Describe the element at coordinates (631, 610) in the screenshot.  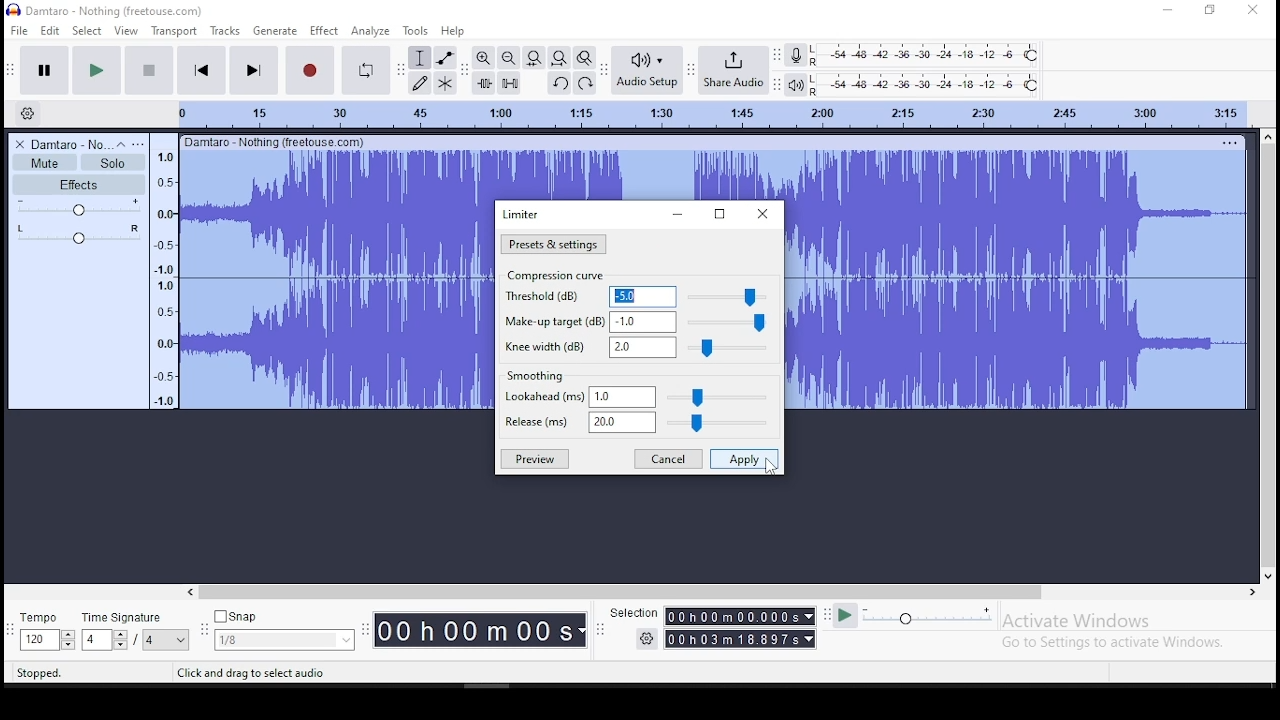
I see `selection` at that location.